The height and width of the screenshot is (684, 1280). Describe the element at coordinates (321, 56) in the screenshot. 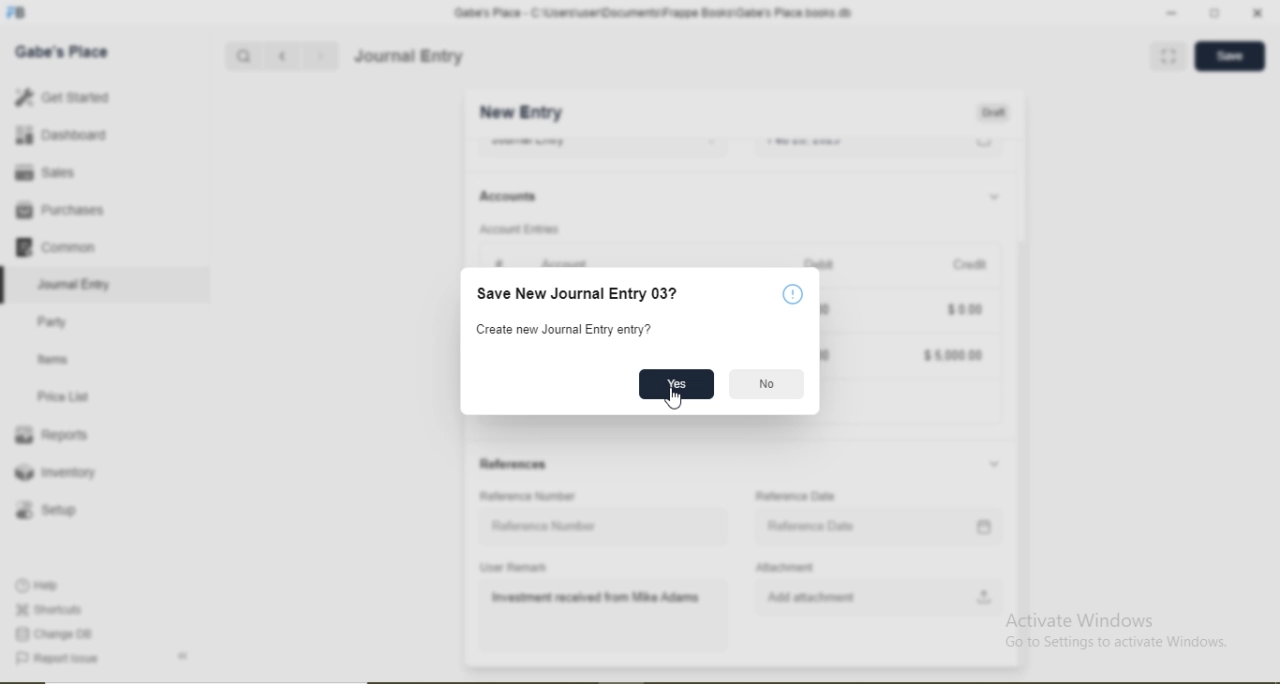

I see `Forward` at that location.